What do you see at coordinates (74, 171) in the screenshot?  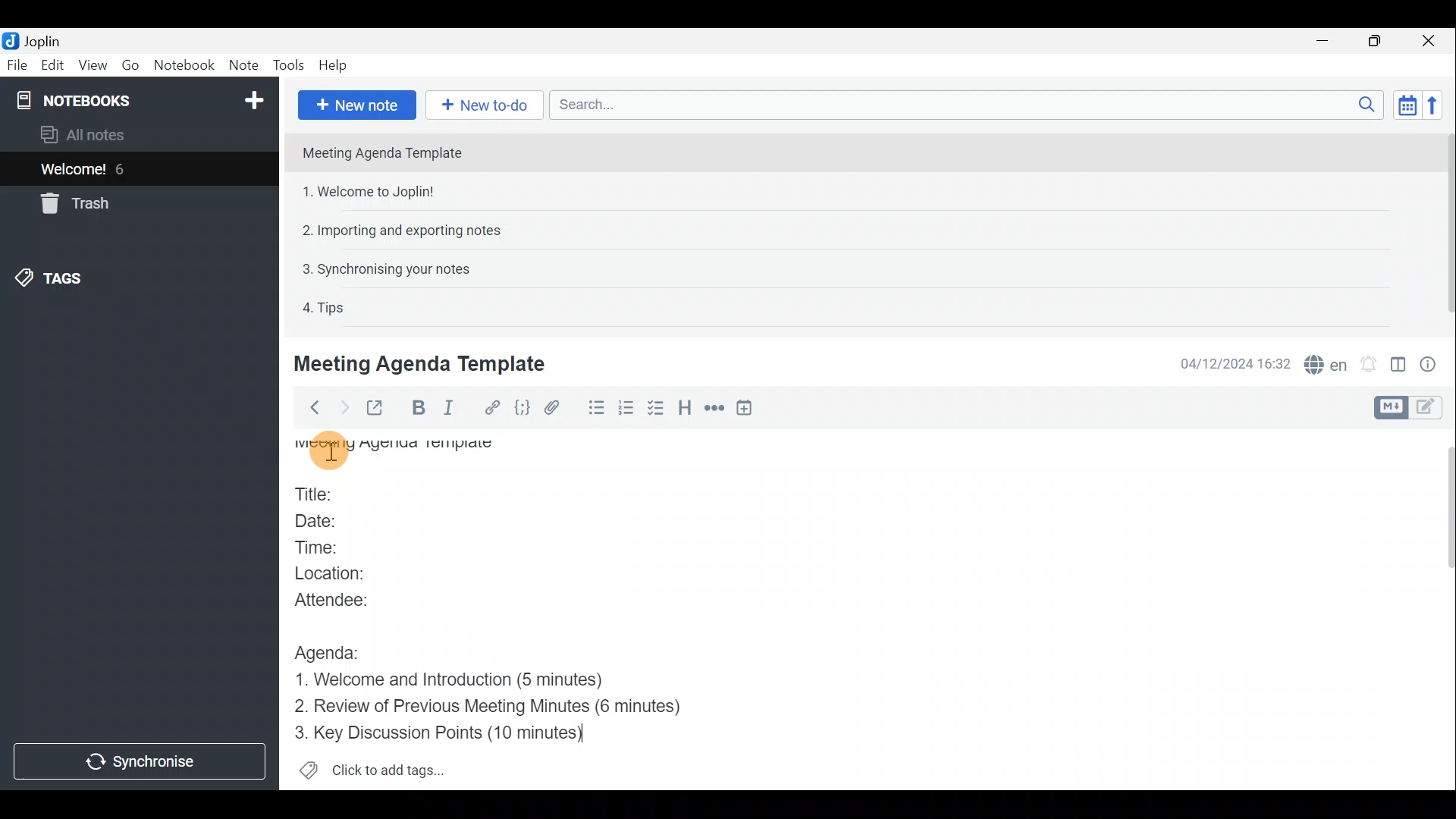 I see `Welcome!` at bounding box center [74, 171].